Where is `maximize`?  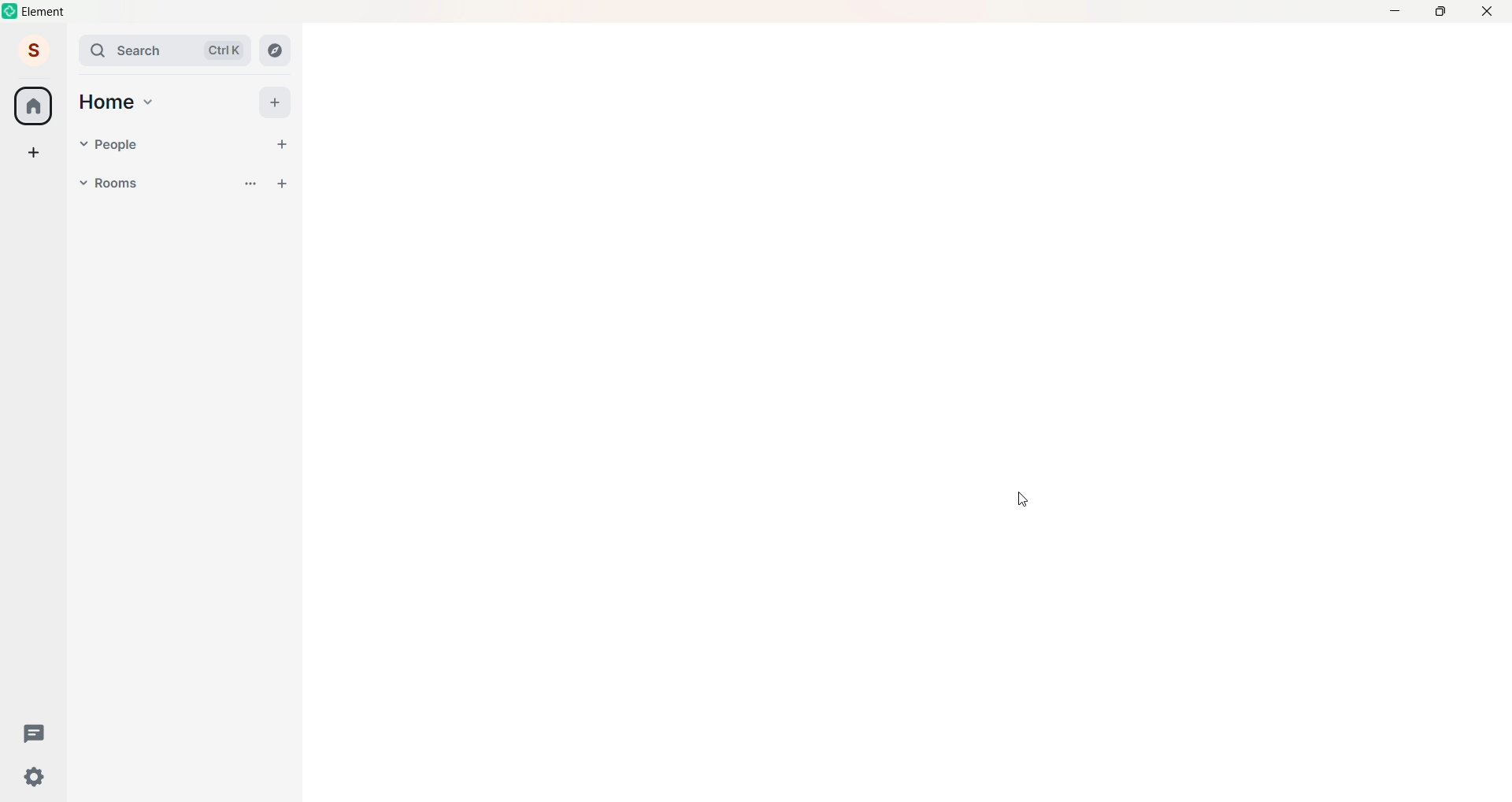
maximize is located at coordinates (1440, 13).